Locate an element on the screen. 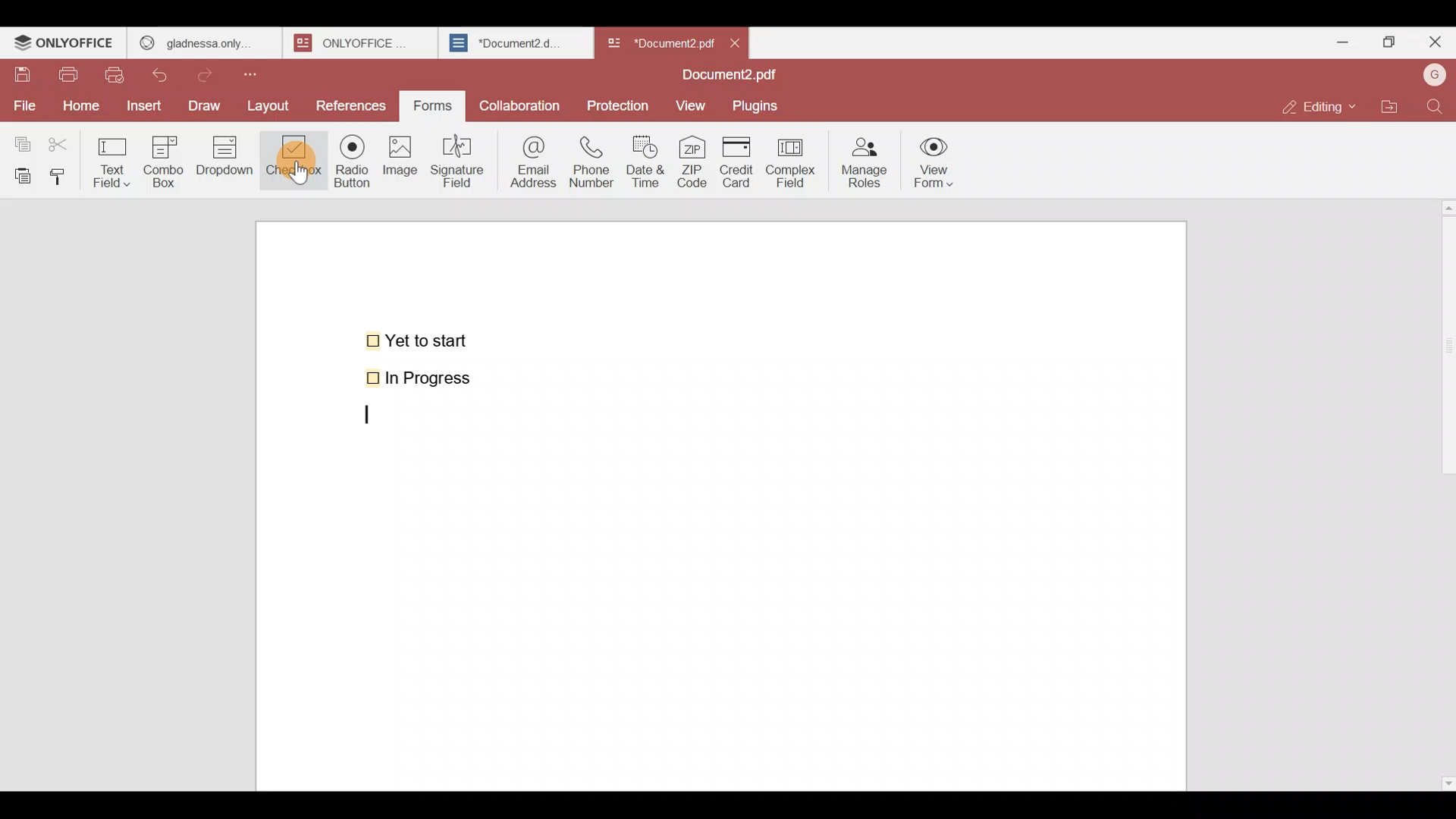  Copy style is located at coordinates (64, 173).